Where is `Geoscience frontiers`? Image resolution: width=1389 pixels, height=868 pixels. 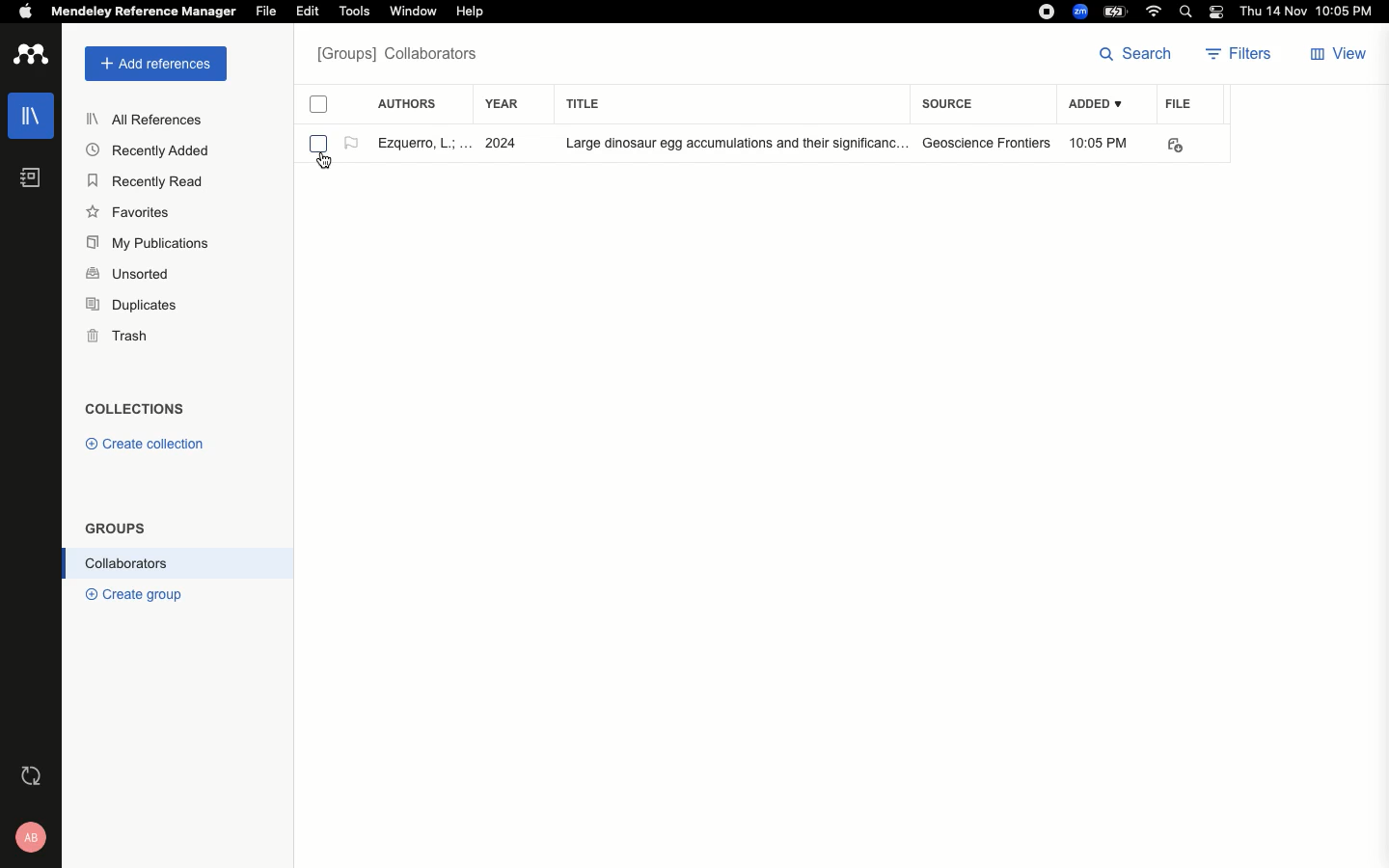 Geoscience frontiers is located at coordinates (987, 143).